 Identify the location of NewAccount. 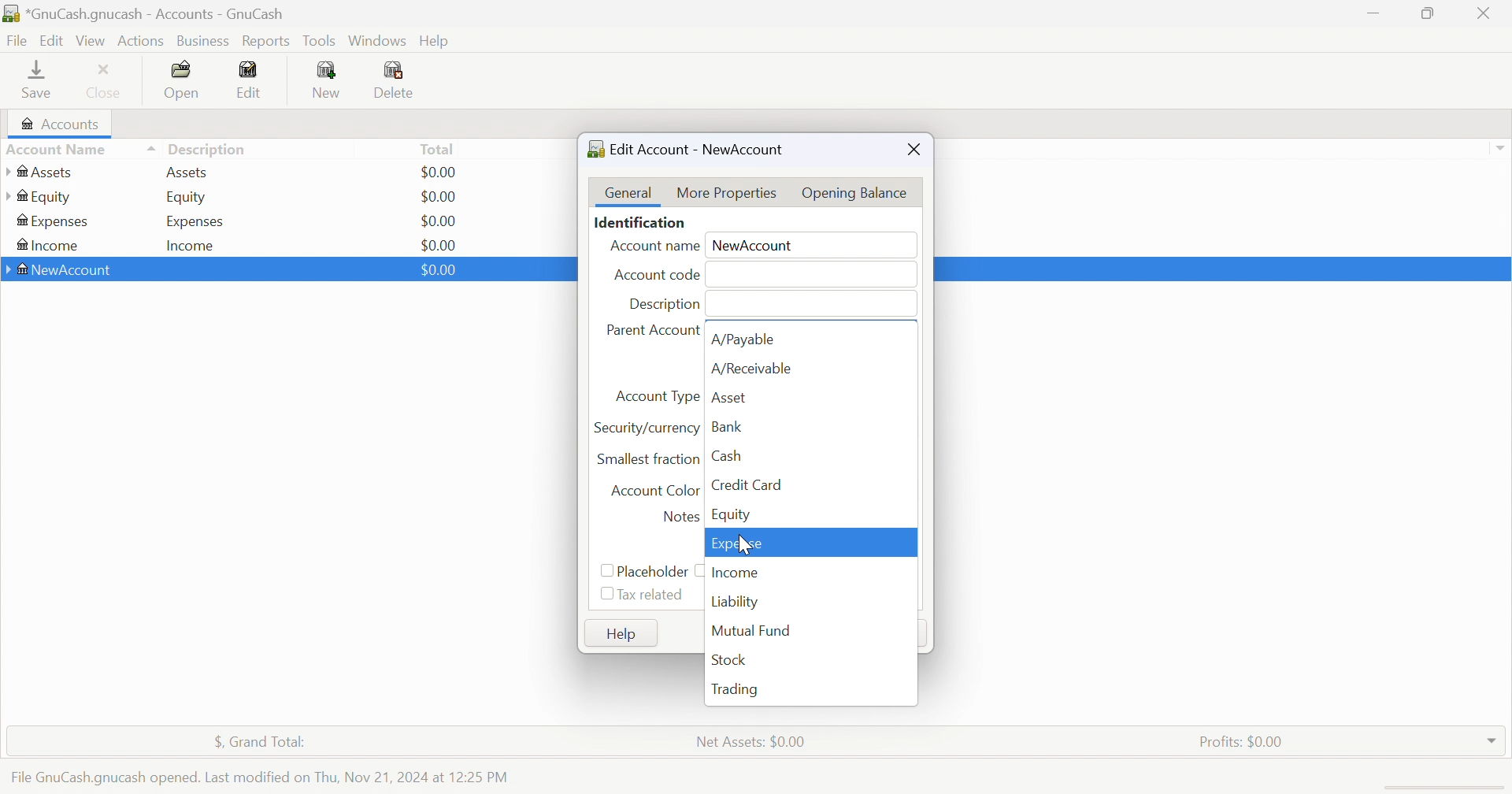
(760, 244).